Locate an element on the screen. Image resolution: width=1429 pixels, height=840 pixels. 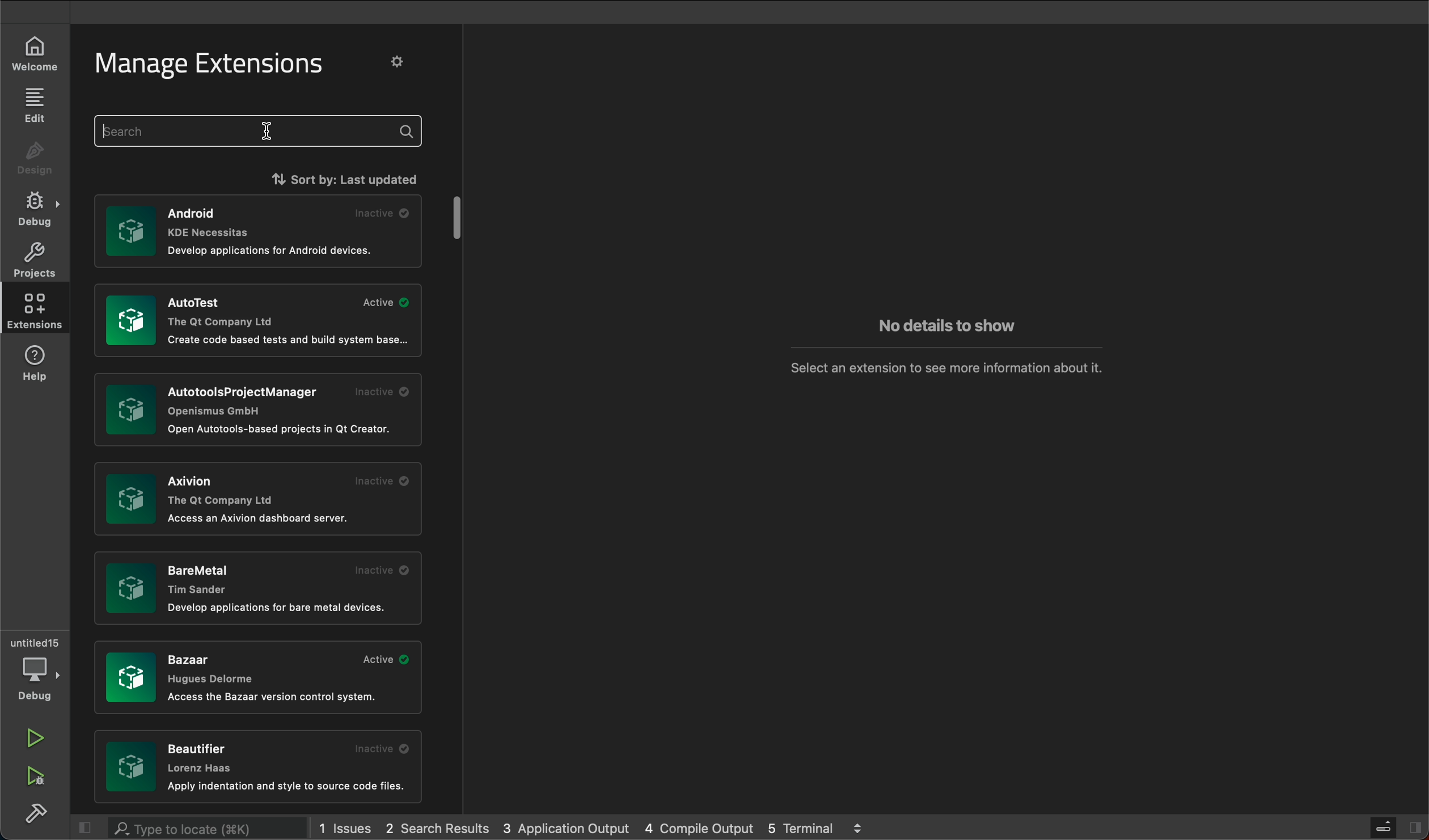
inactive is located at coordinates (383, 749).